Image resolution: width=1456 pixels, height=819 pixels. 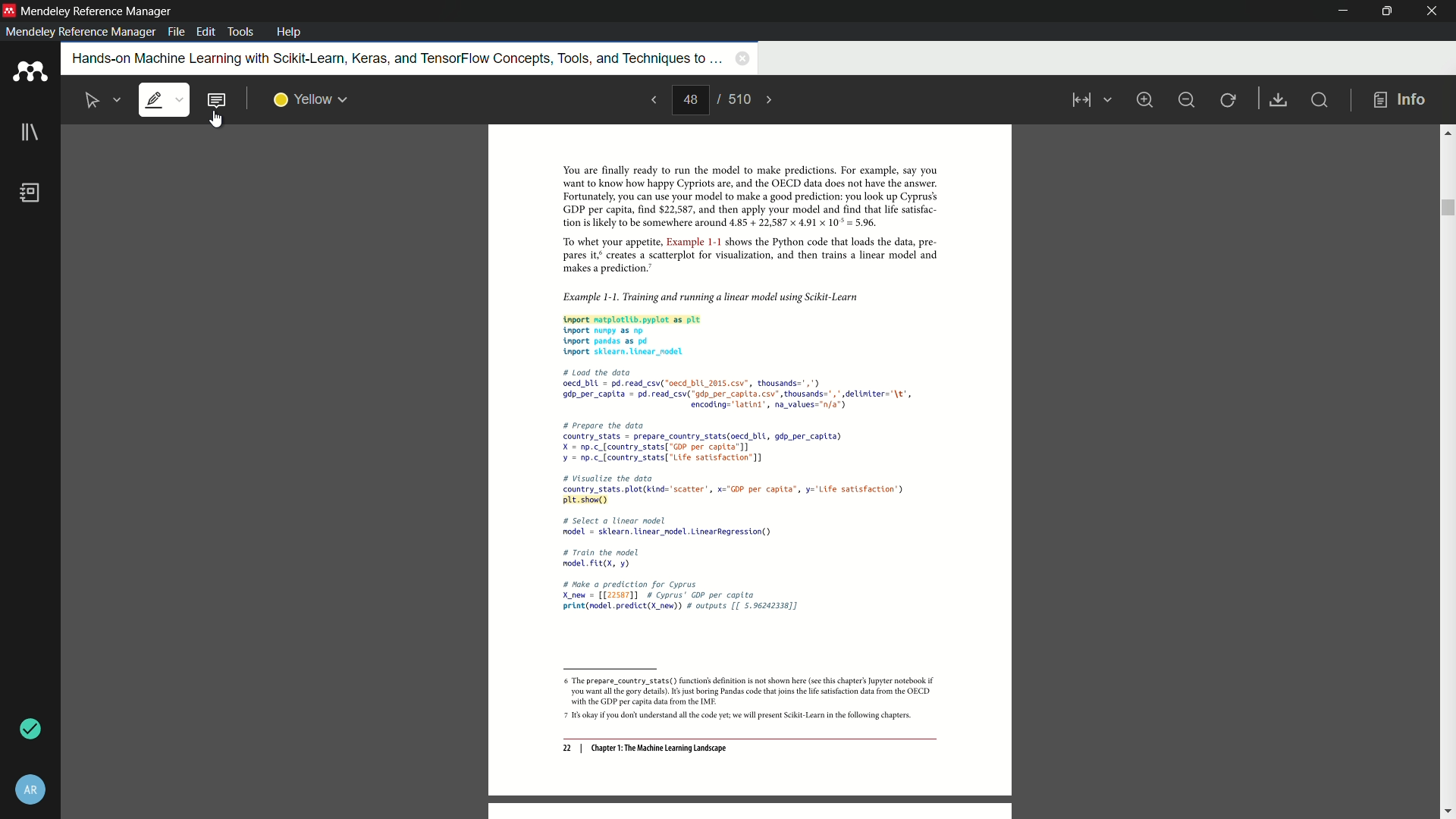 What do you see at coordinates (311, 100) in the screenshot?
I see `highlight color` at bounding box center [311, 100].